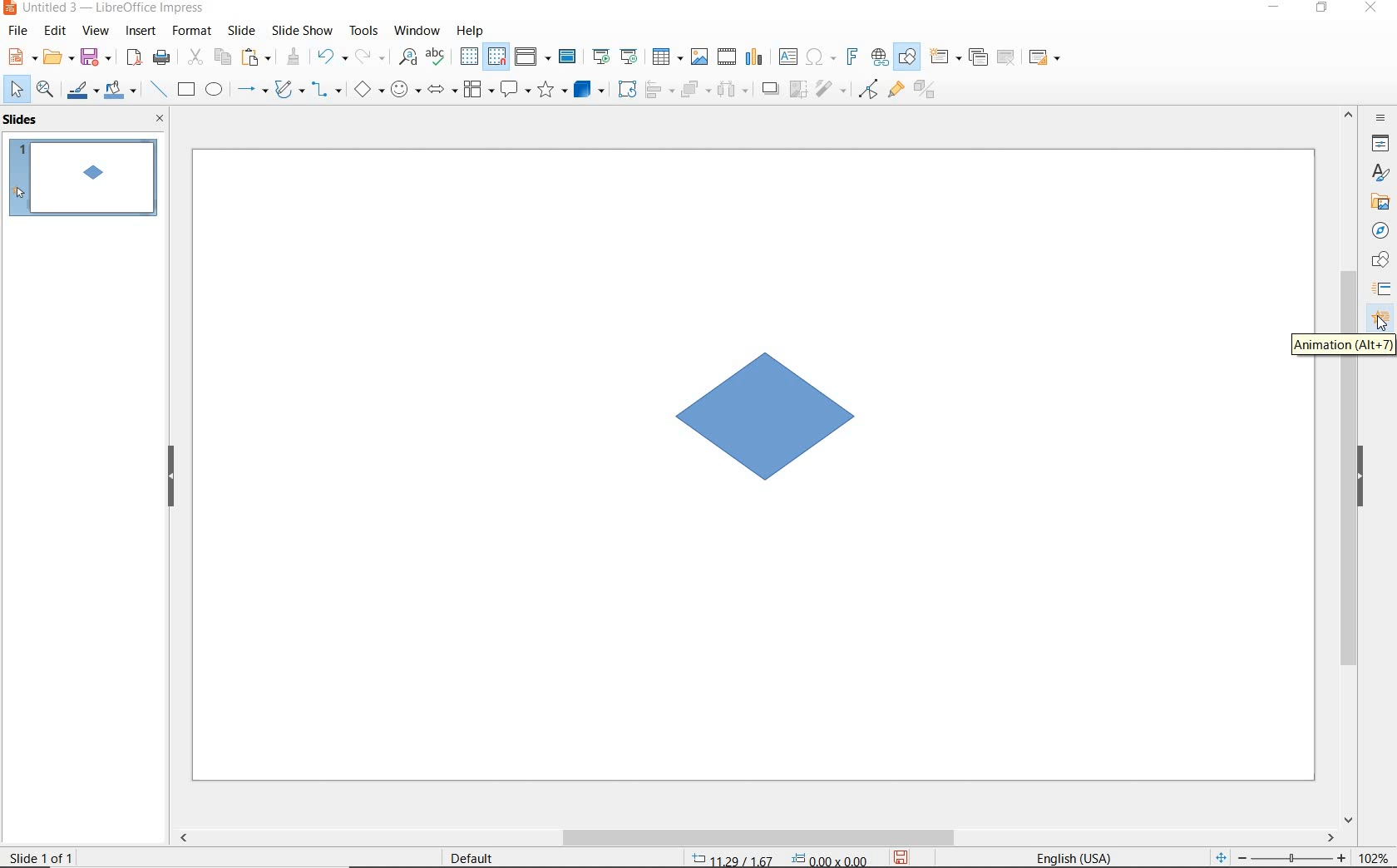  What do you see at coordinates (728, 59) in the screenshot?
I see `insert audio or video` at bounding box center [728, 59].